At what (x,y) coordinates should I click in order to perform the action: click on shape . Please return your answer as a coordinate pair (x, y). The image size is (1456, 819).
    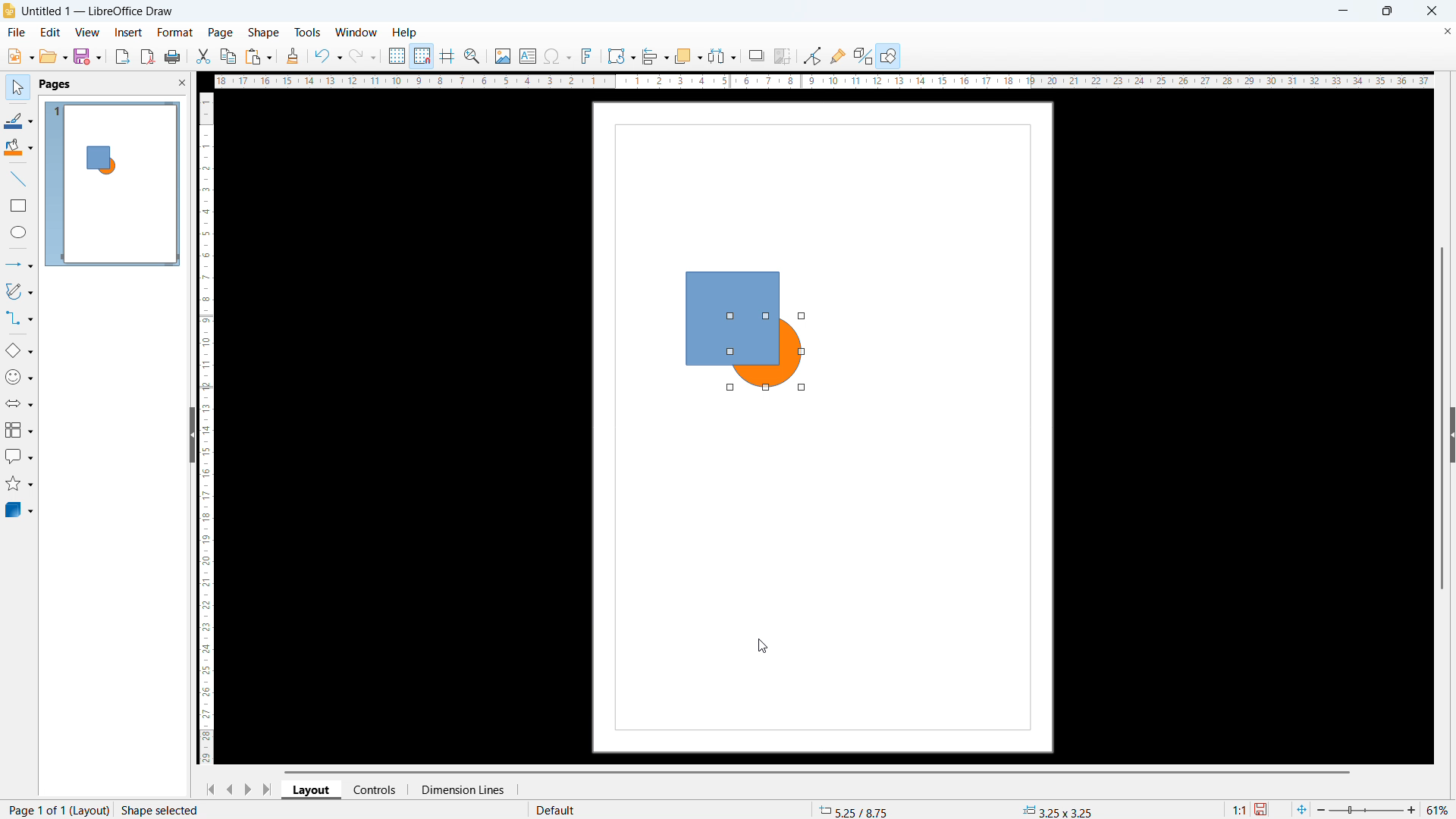
    Looking at the image, I should click on (262, 33).